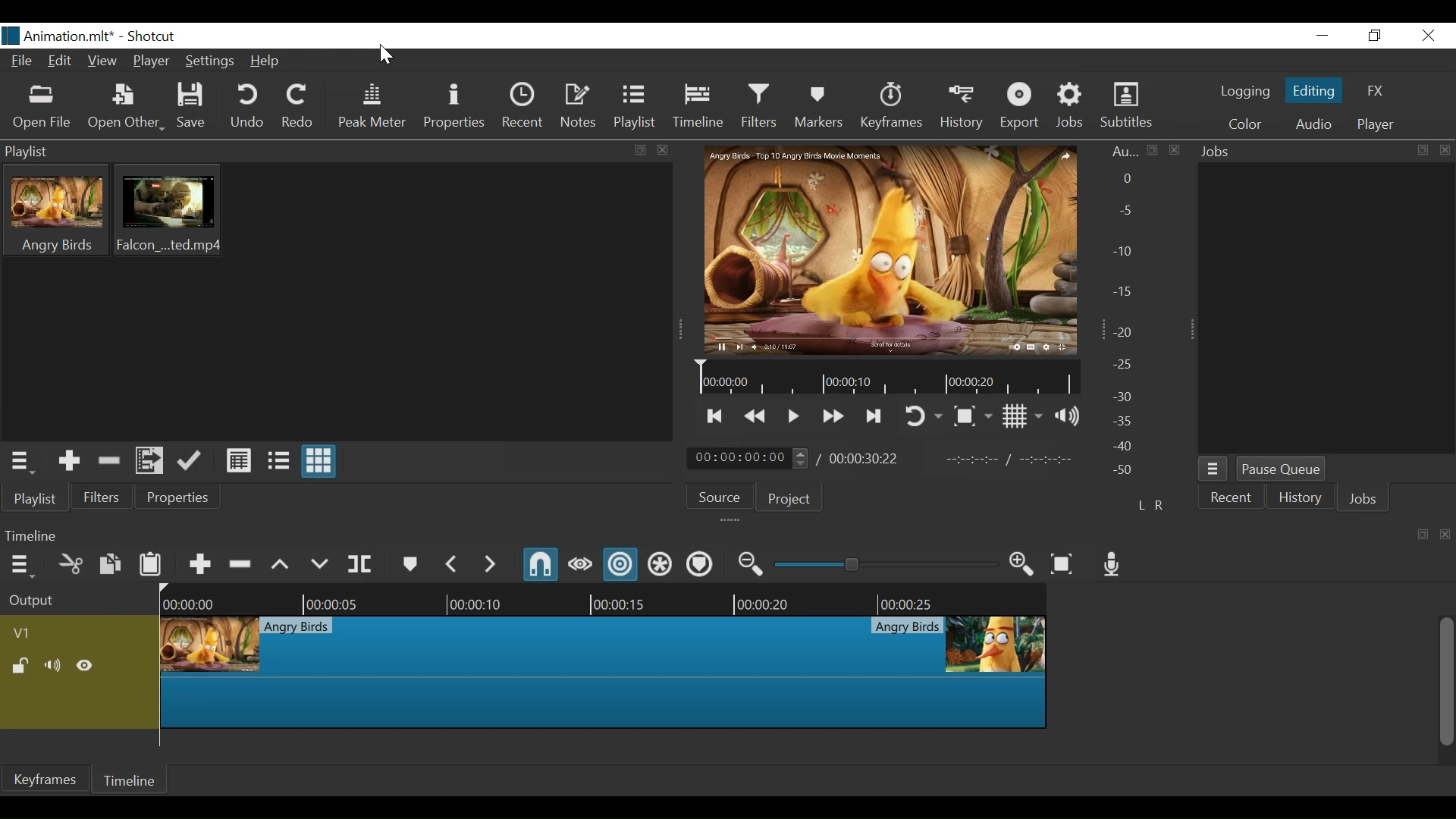 This screenshot has height=819, width=1456. Describe the element at coordinates (21, 60) in the screenshot. I see `File` at that location.